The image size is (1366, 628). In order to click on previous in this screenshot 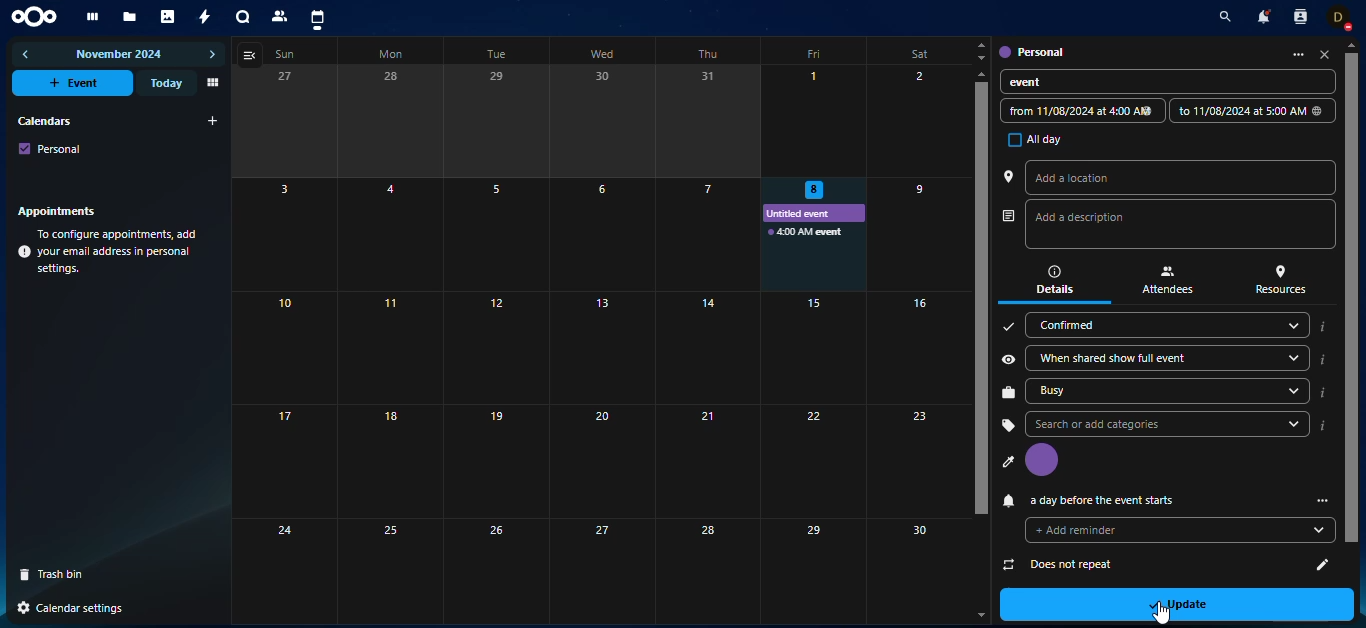, I will do `click(27, 54)`.